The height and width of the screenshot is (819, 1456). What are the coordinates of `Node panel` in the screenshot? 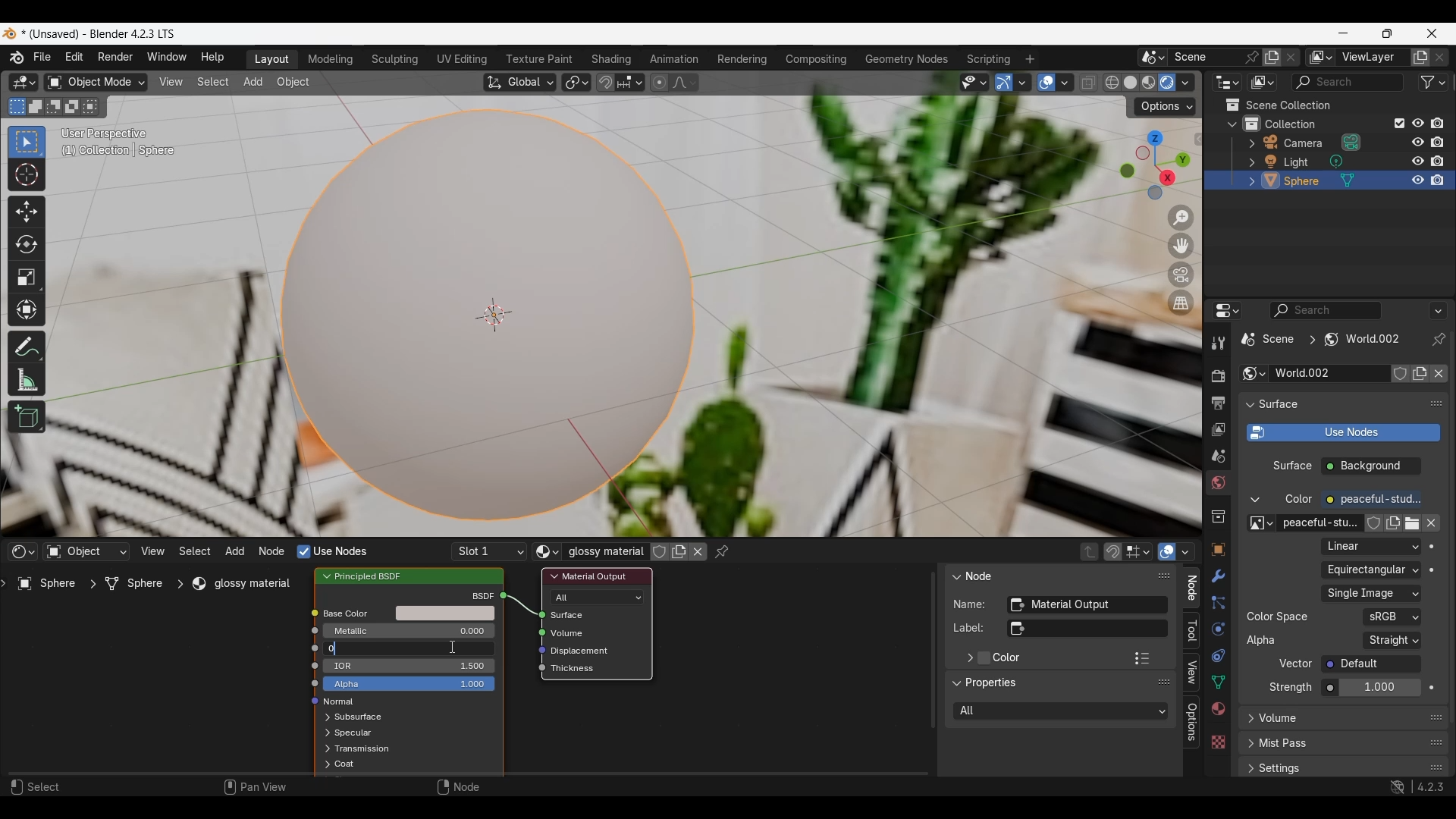 It's located at (1191, 588).